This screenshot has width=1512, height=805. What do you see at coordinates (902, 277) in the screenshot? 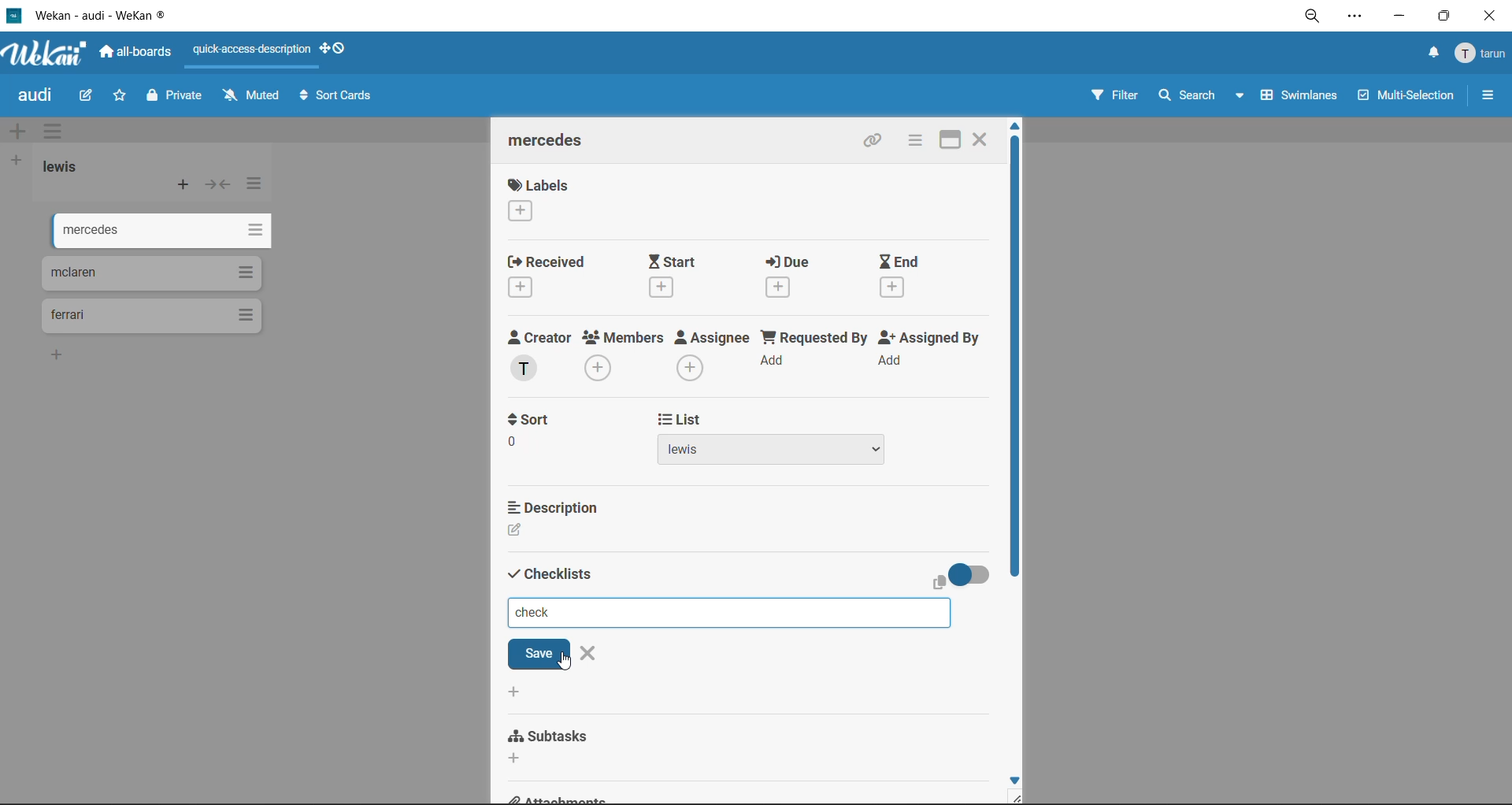
I see `end` at bounding box center [902, 277].